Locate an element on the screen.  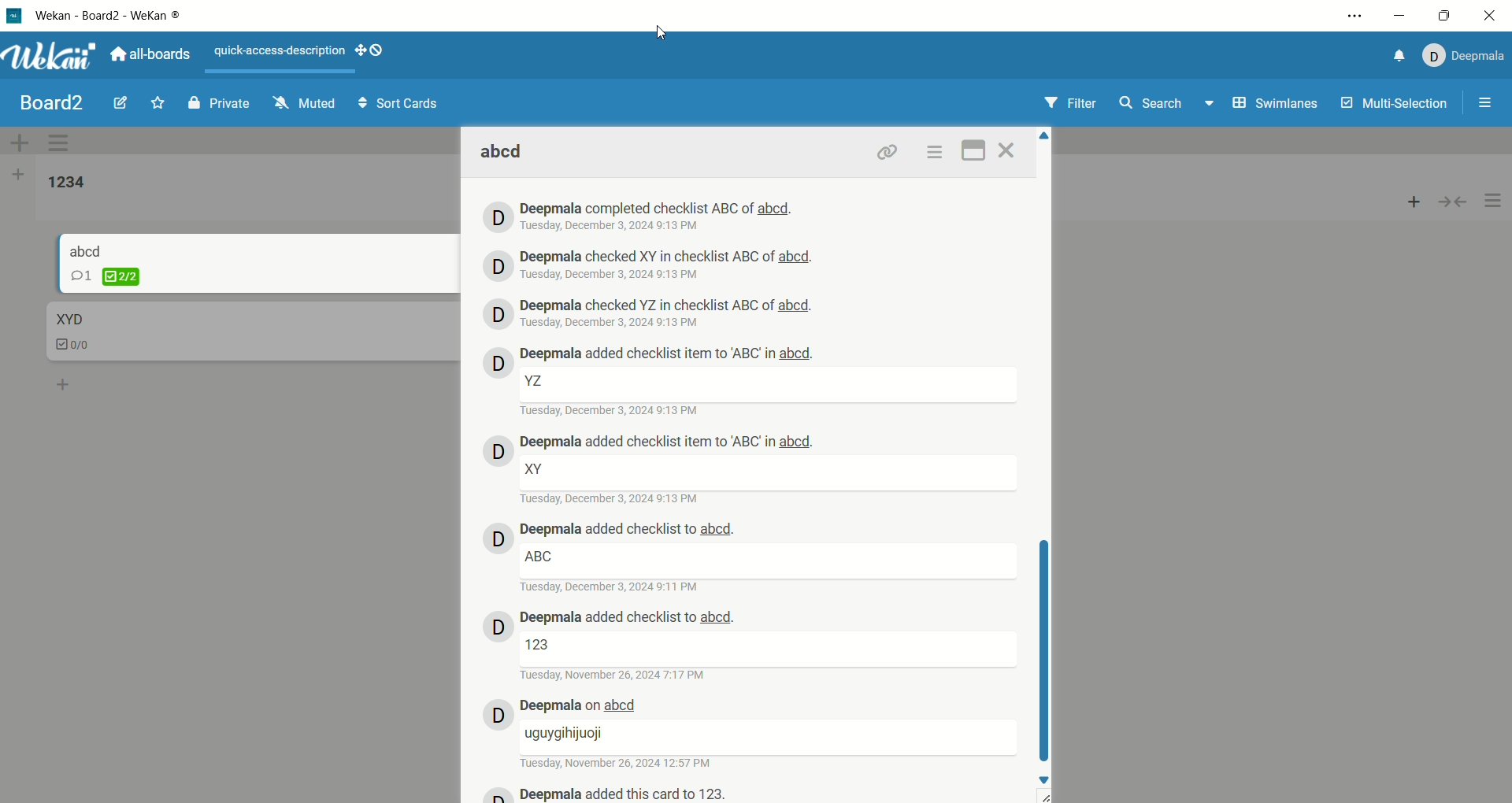
avatar is located at coordinates (498, 216).